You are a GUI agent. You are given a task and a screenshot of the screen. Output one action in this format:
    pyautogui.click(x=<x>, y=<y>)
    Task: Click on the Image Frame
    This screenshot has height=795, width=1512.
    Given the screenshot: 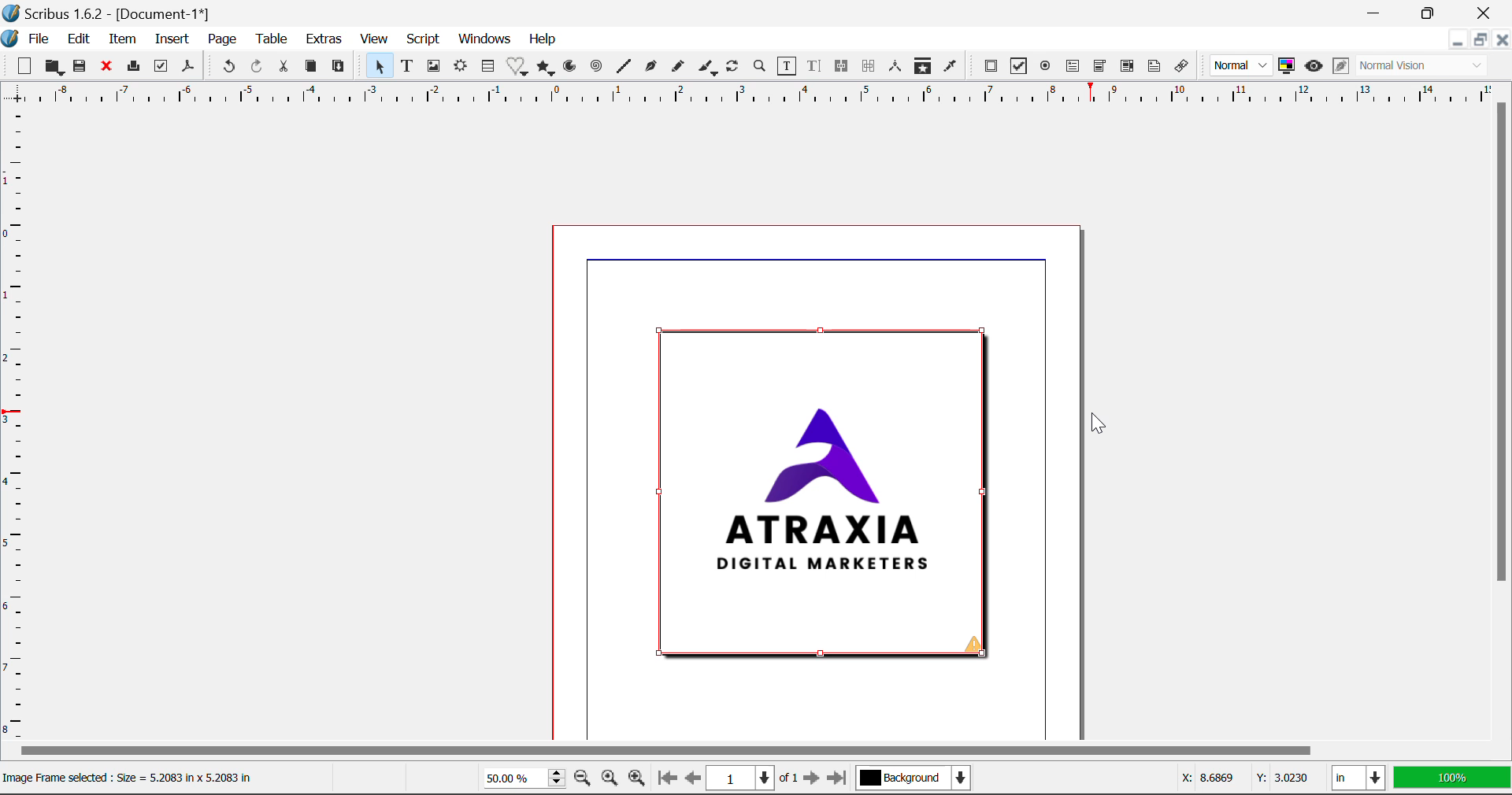 What is the action you would take?
    pyautogui.click(x=435, y=68)
    